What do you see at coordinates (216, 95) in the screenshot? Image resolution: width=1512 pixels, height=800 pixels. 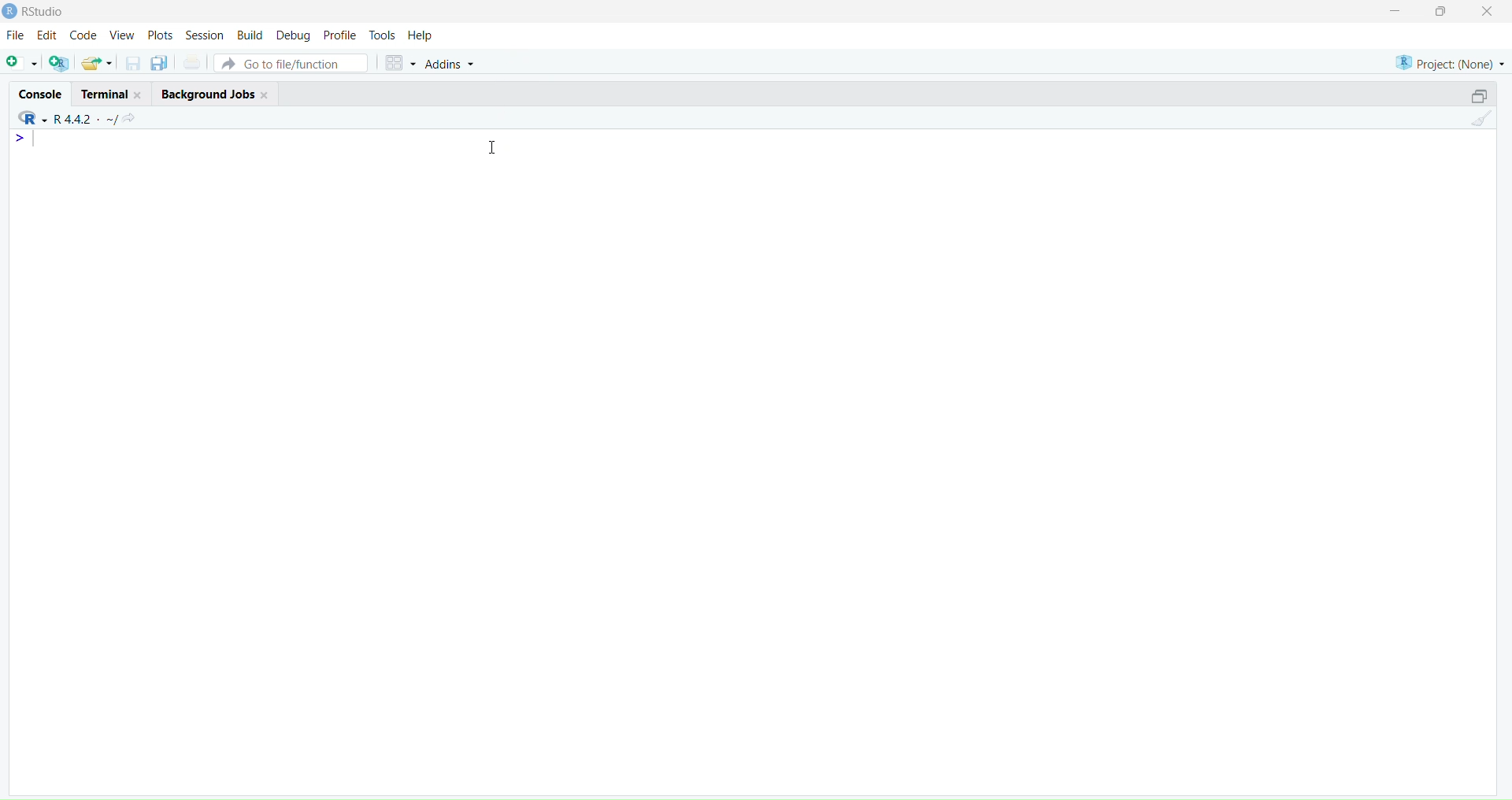 I see `background jobs` at bounding box center [216, 95].